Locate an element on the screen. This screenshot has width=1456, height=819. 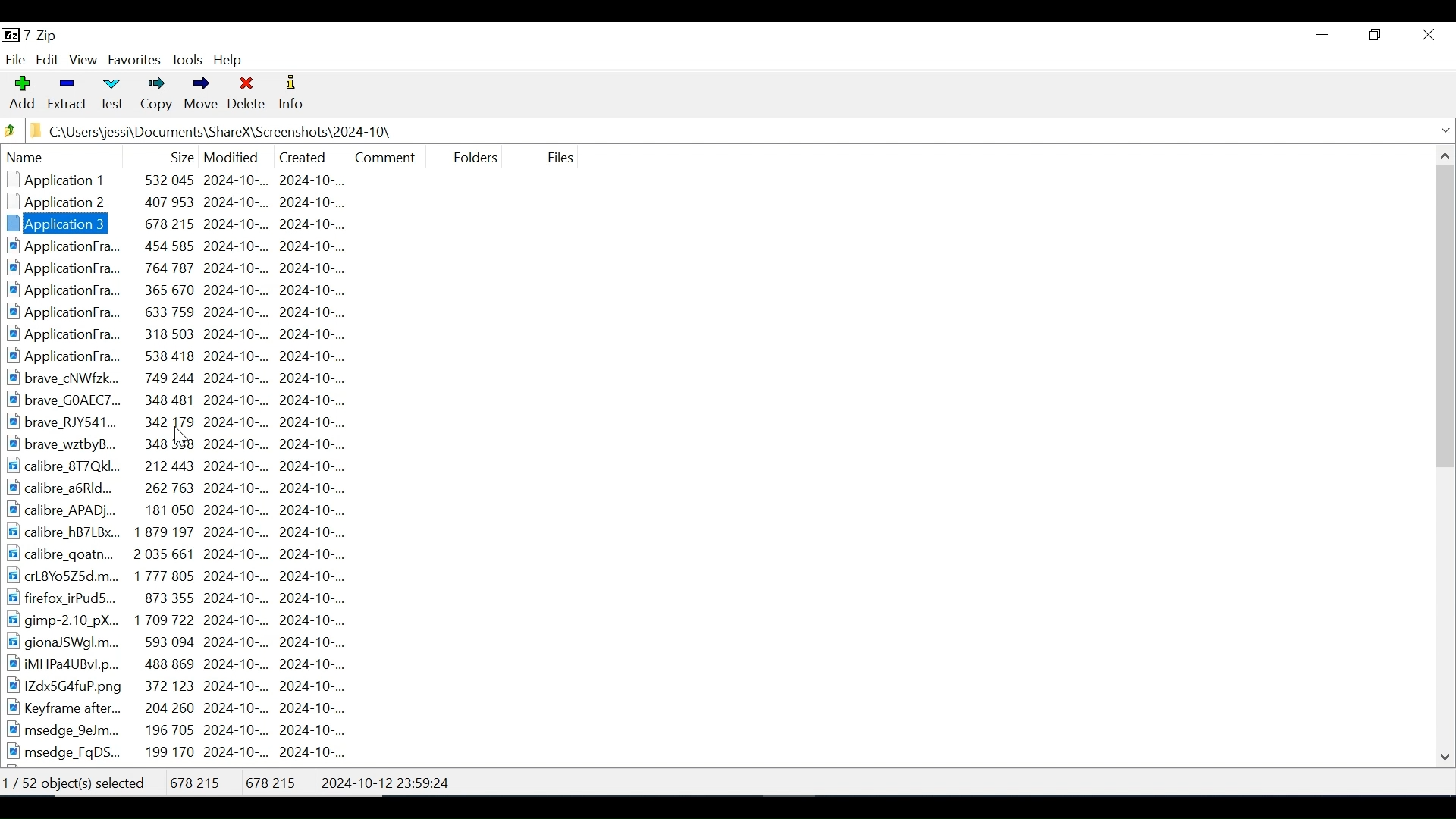
 brave GOAEC7... 348 481 2024-10-.. 2024-10-... is located at coordinates (187, 399).